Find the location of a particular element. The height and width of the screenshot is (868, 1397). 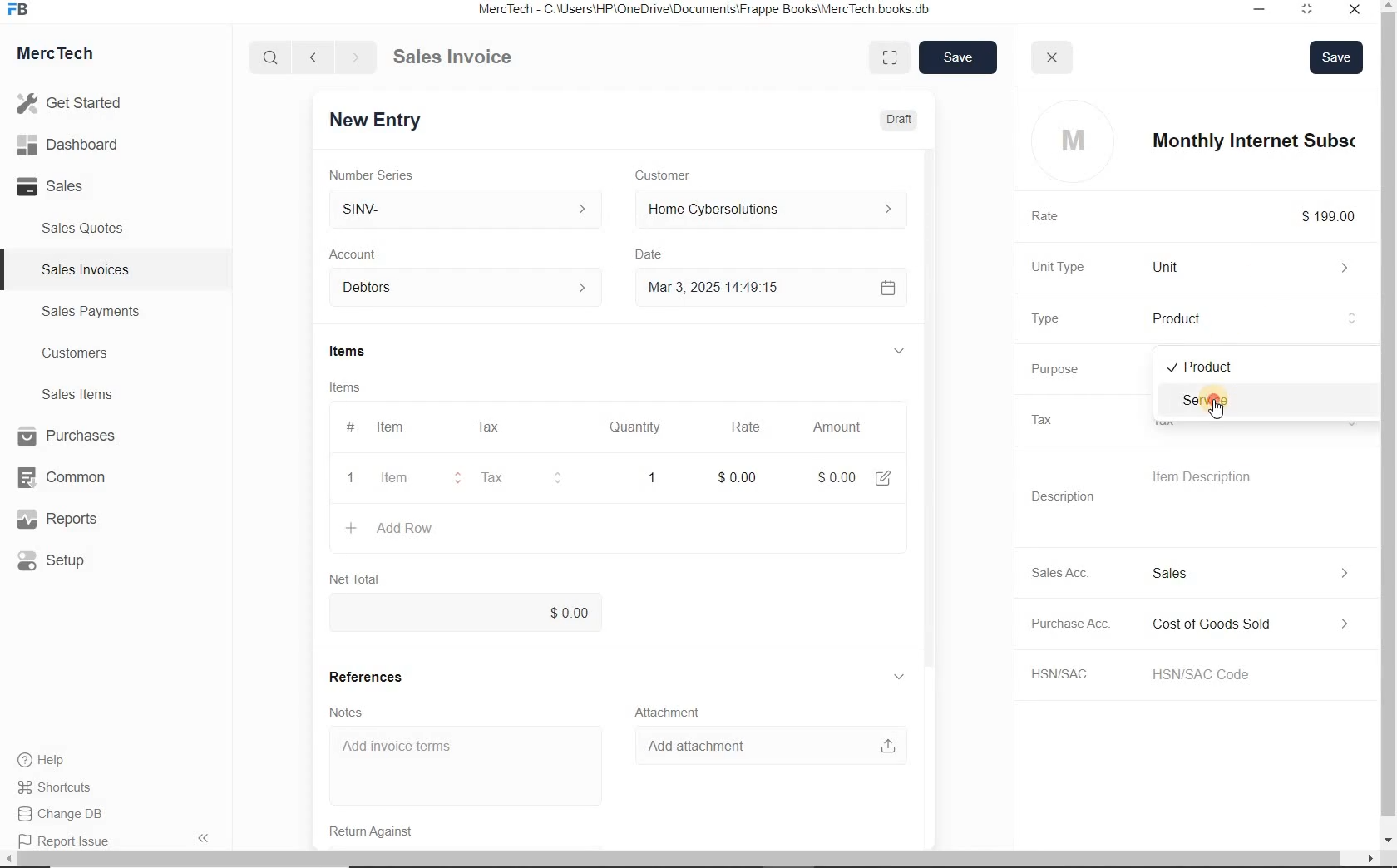

Purchases is located at coordinates (69, 437).